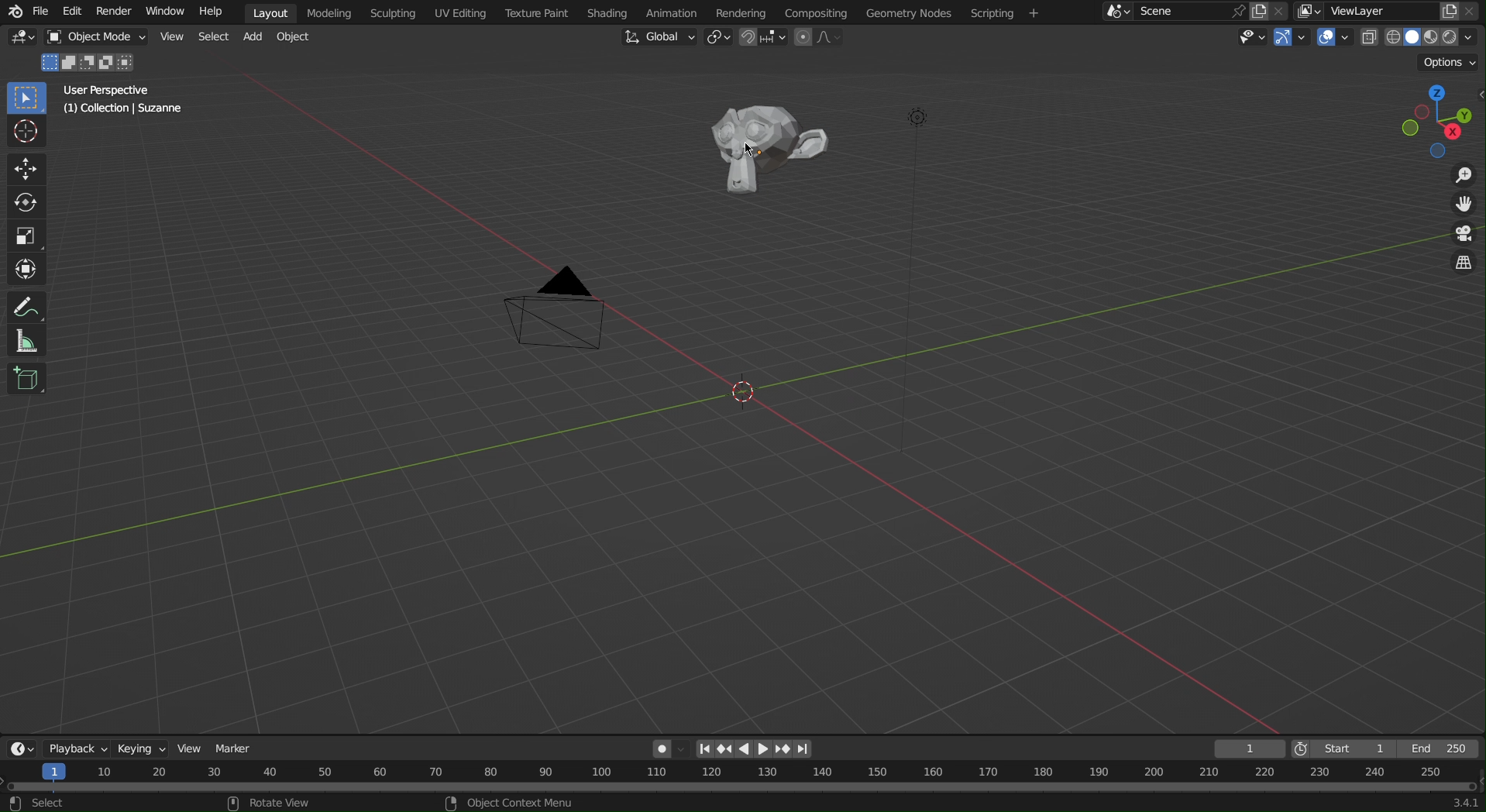  What do you see at coordinates (213, 40) in the screenshot?
I see `Select` at bounding box center [213, 40].